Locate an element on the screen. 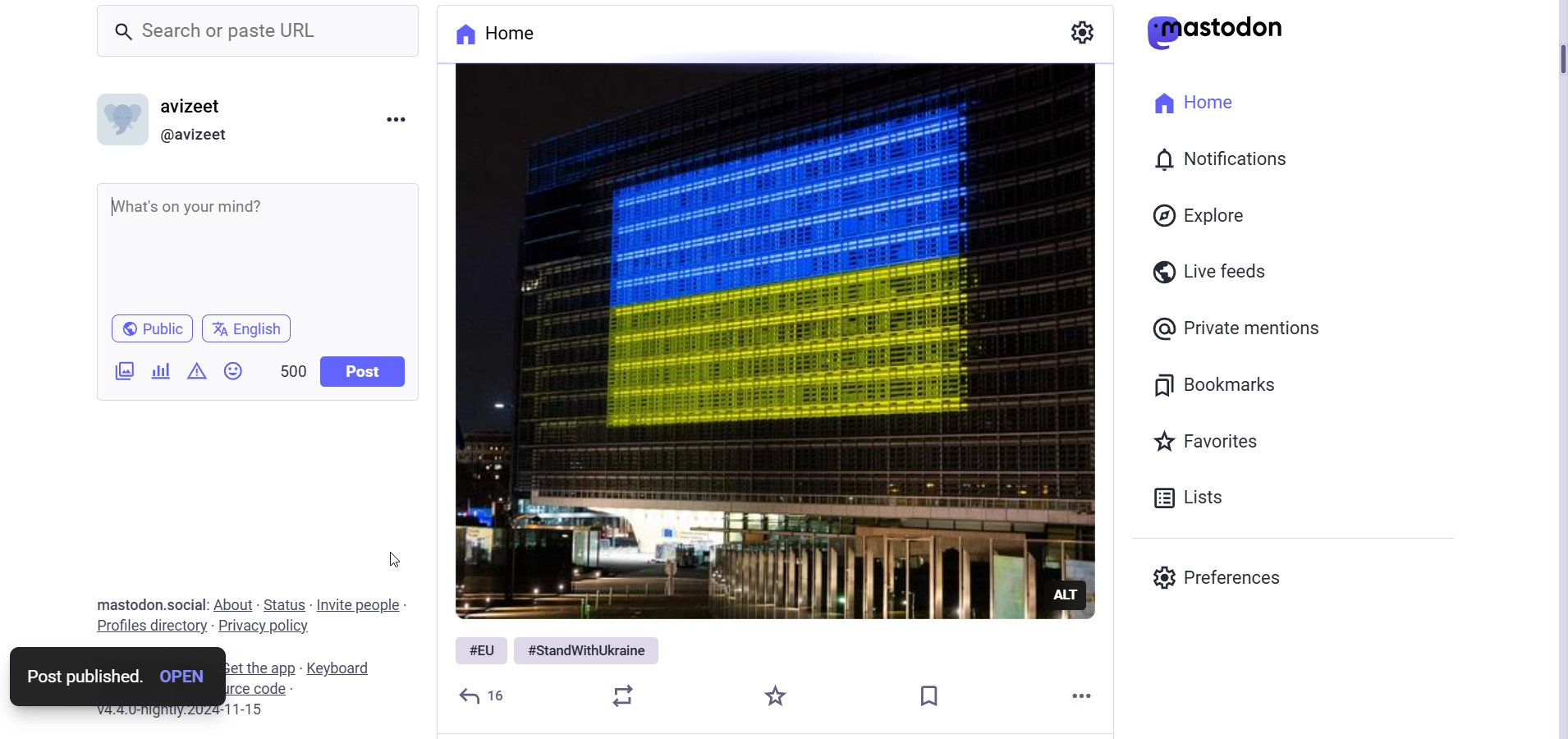  Change Language is located at coordinates (249, 330).